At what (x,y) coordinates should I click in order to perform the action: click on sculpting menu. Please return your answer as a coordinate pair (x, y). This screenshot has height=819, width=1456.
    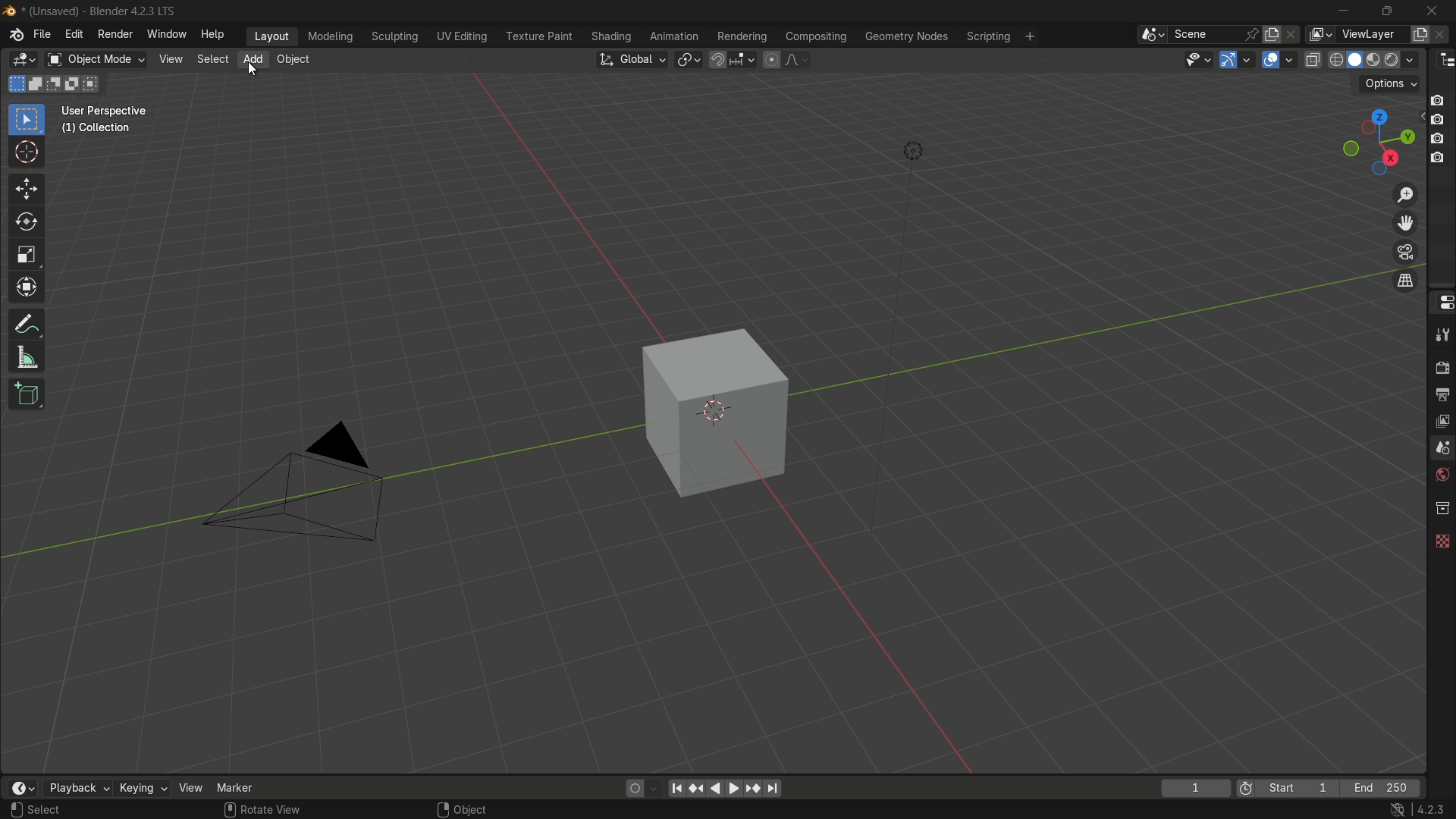
    Looking at the image, I should click on (395, 37).